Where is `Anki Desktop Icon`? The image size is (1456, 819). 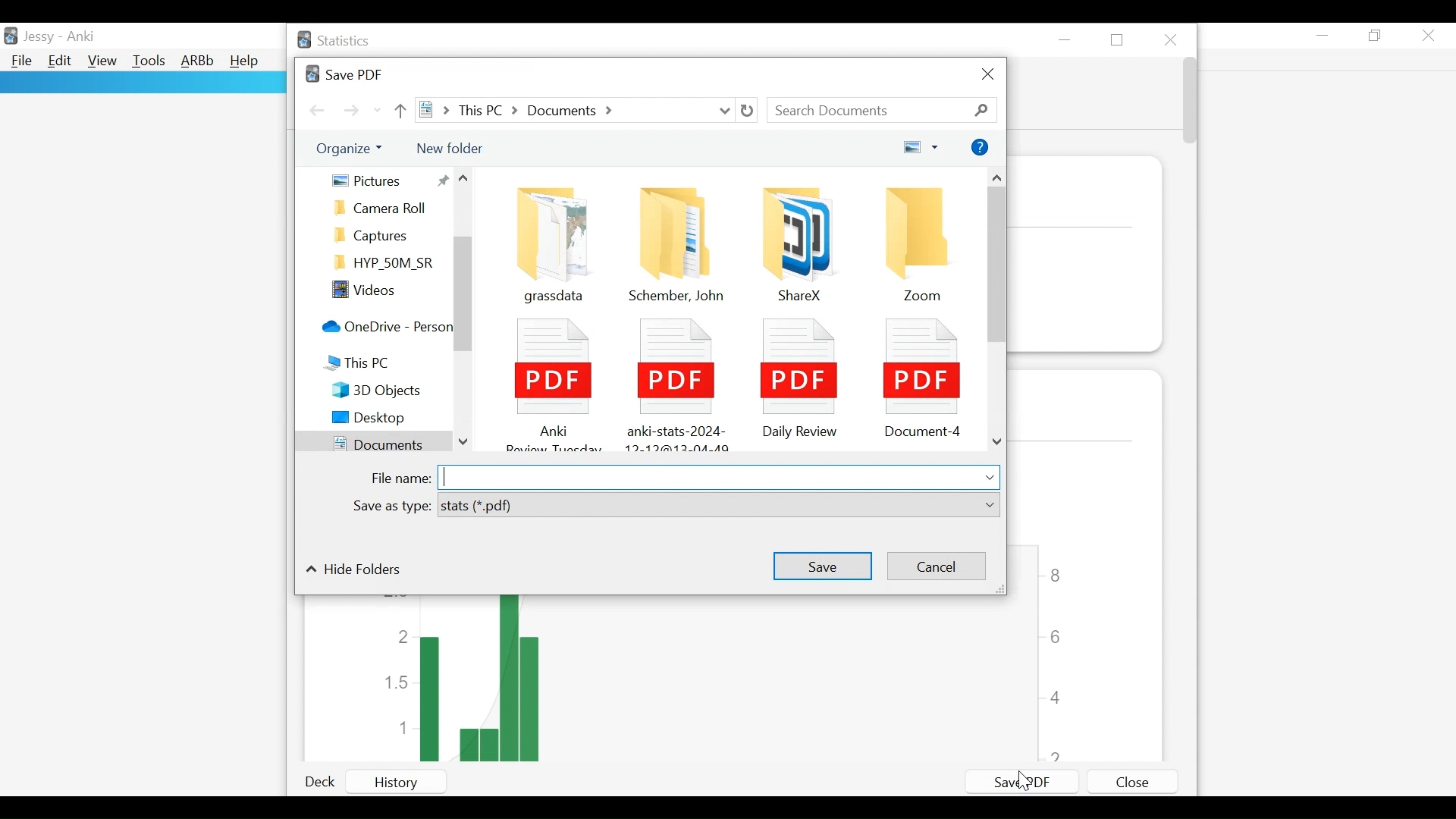 Anki Desktop Icon is located at coordinates (12, 35).